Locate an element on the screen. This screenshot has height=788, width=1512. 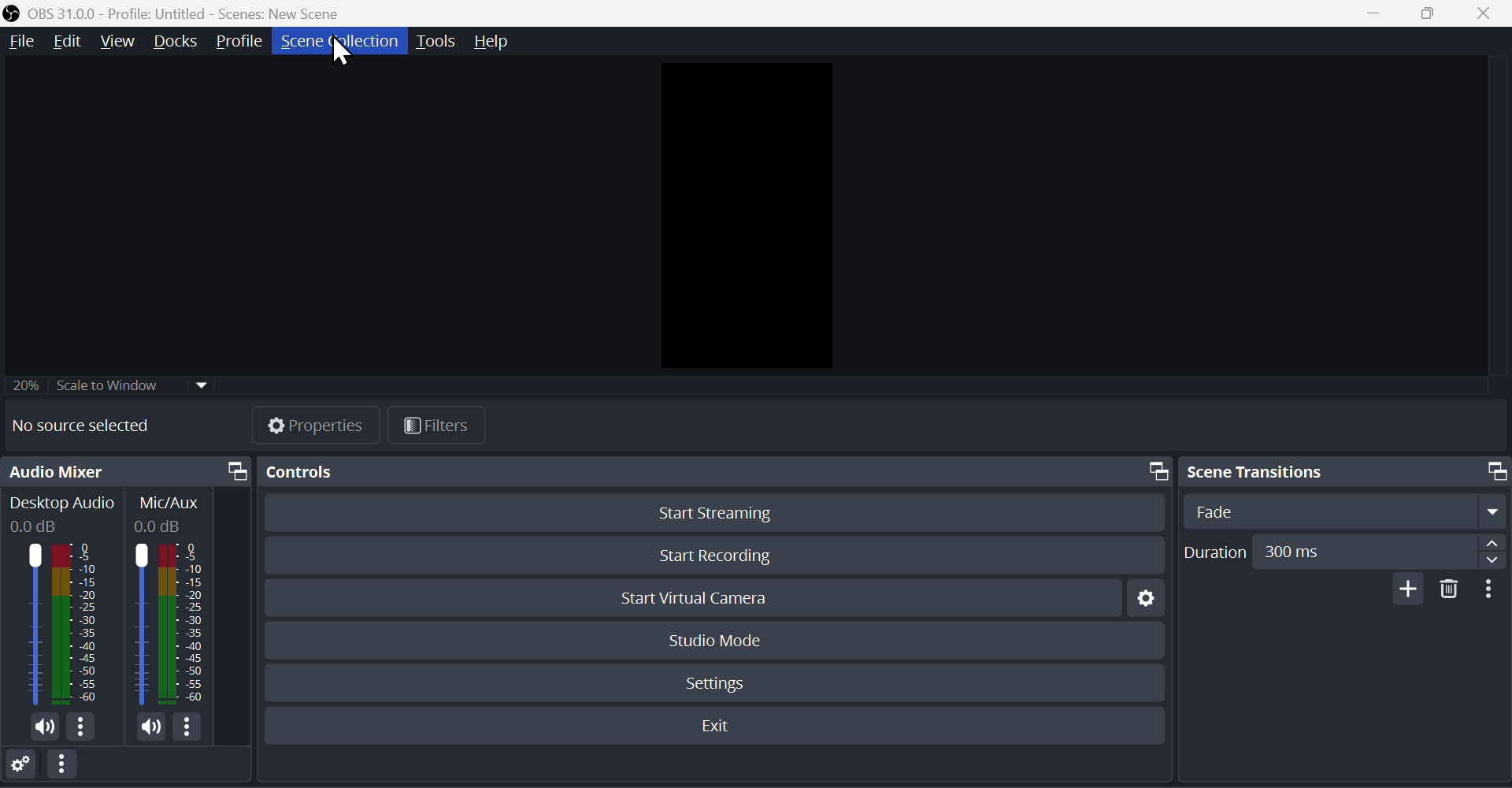
help is located at coordinates (500, 42).